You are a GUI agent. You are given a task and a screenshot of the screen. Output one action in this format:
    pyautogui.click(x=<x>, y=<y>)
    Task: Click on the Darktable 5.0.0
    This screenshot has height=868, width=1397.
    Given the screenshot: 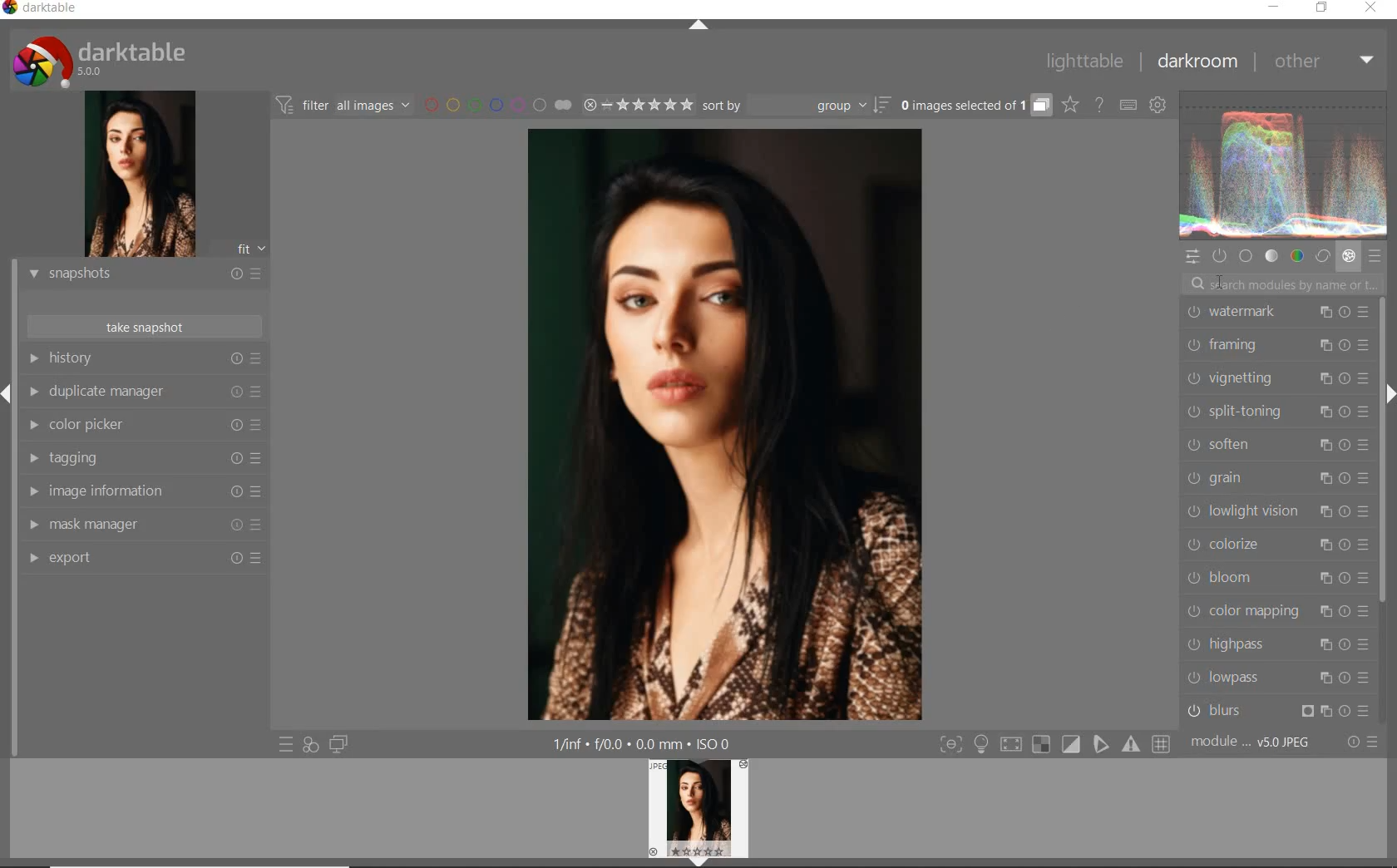 What is the action you would take?
    pyautogui.click(x=99, y=61)
    